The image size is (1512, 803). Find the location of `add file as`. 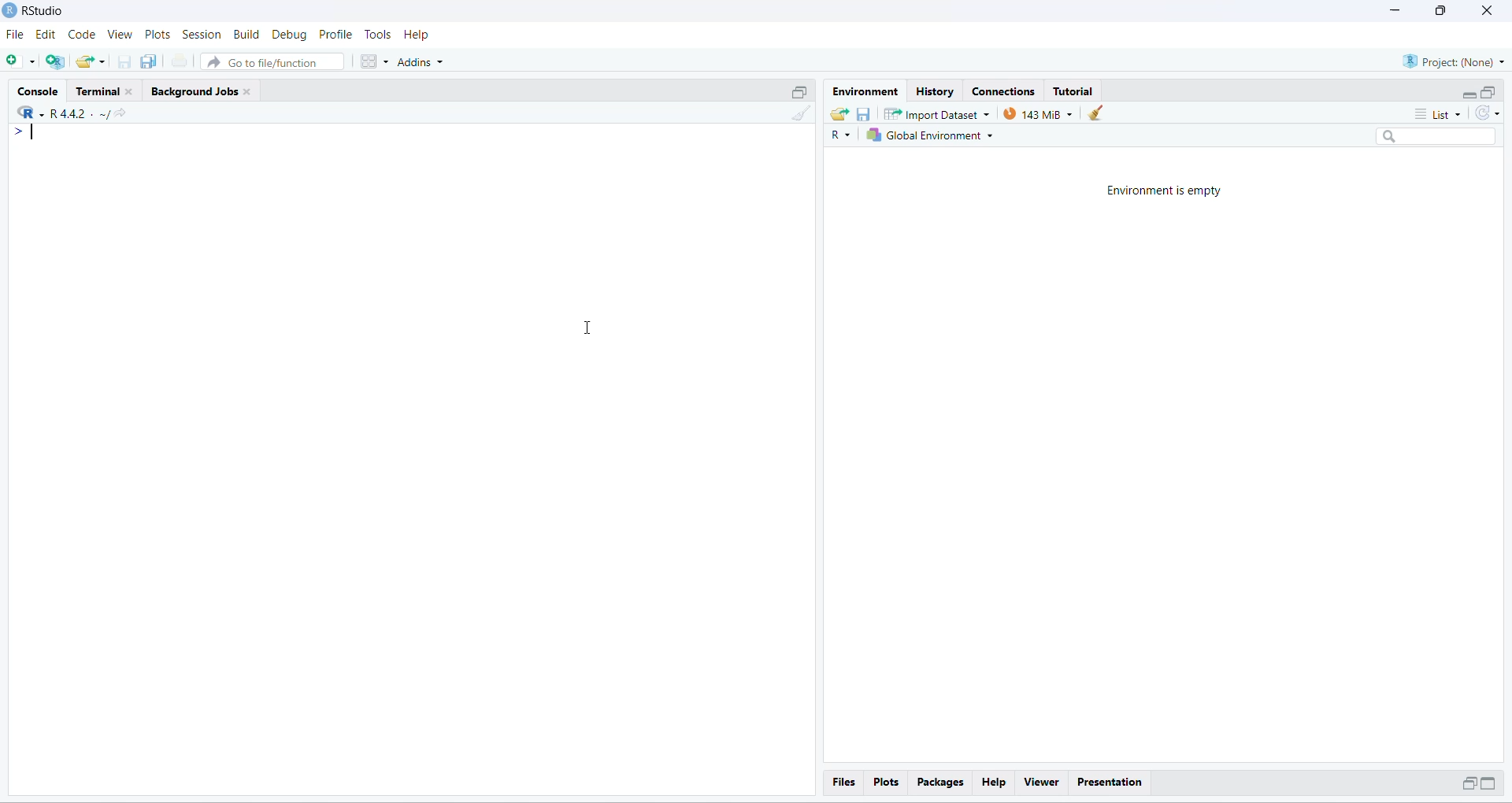

add file as is located at coordinates (22, 61).